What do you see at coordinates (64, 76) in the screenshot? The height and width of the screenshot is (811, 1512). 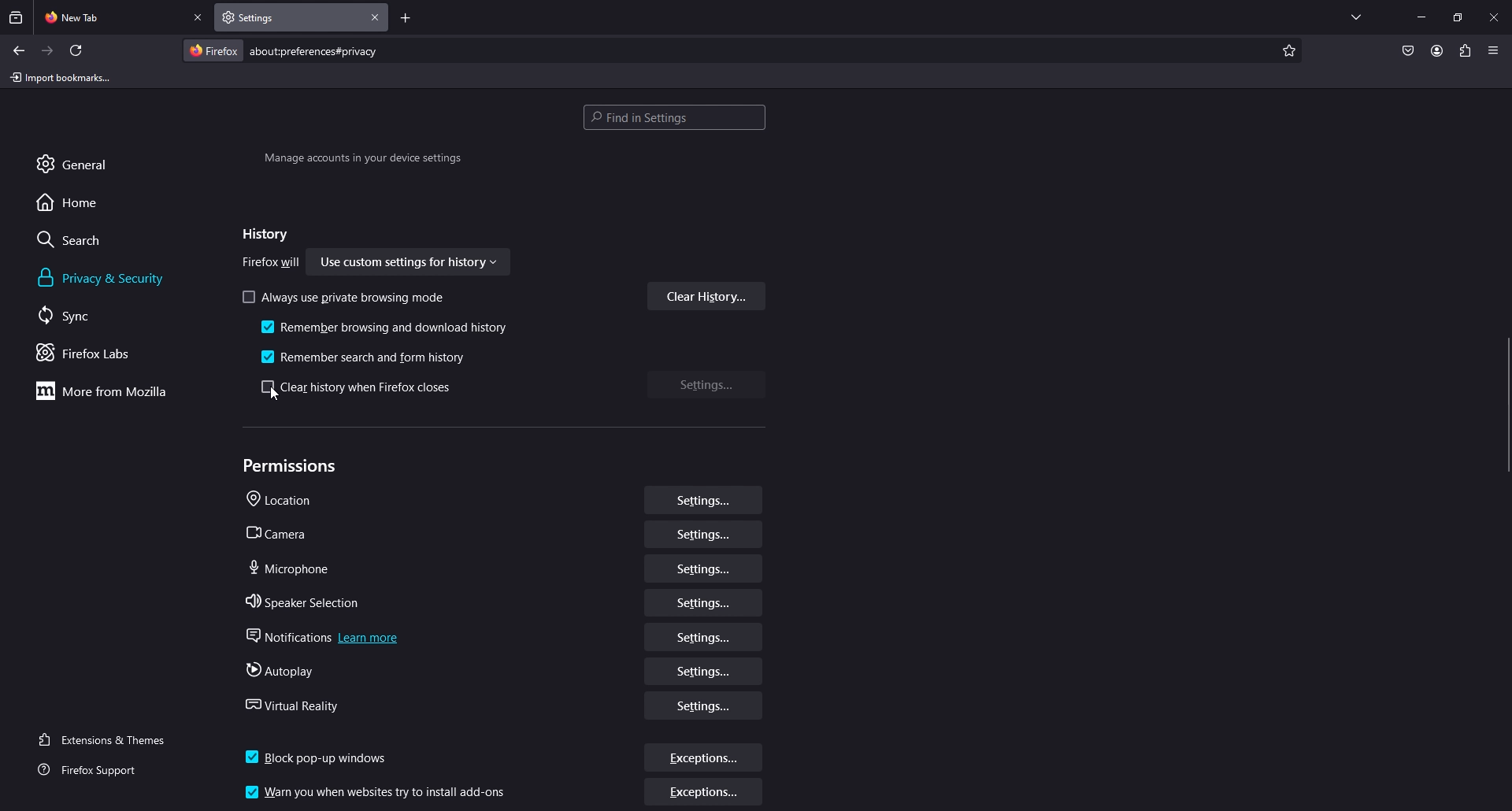 I see `import bookmarks` at bounding box center [64, 76].